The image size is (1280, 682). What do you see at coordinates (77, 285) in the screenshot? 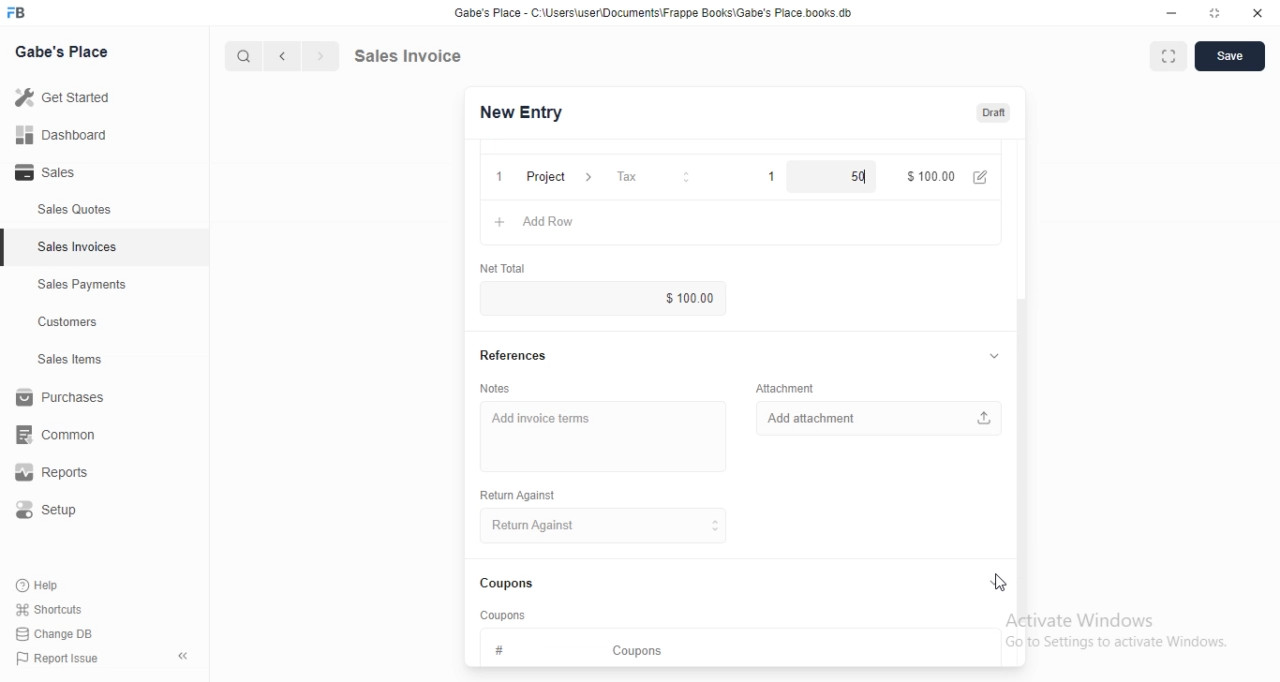
I see `Sales Payments` at bounding box center [77, 285].